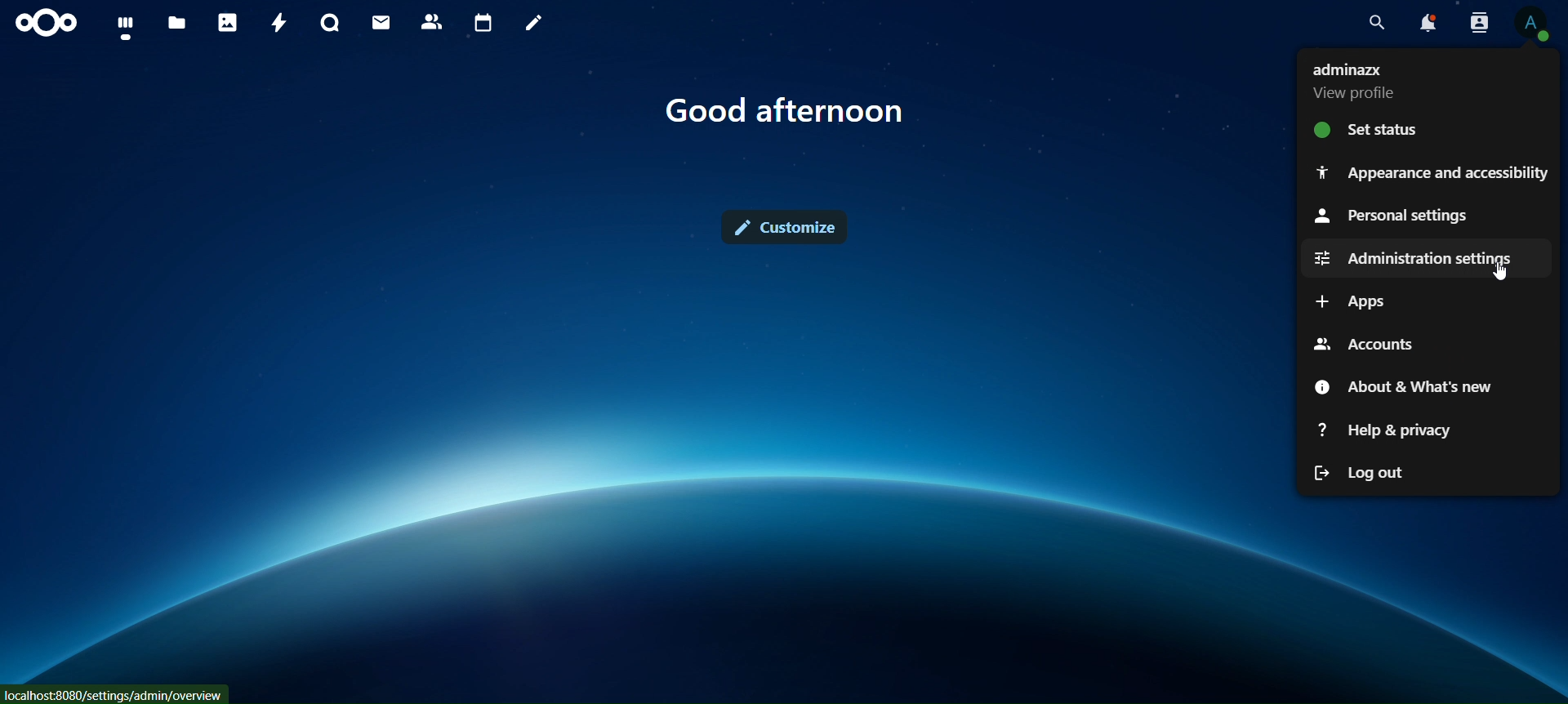 This screenshot has width=1568, height=704. Describe the element at coordinates (281, 25) in the screenshot. I see `activity` at that location.